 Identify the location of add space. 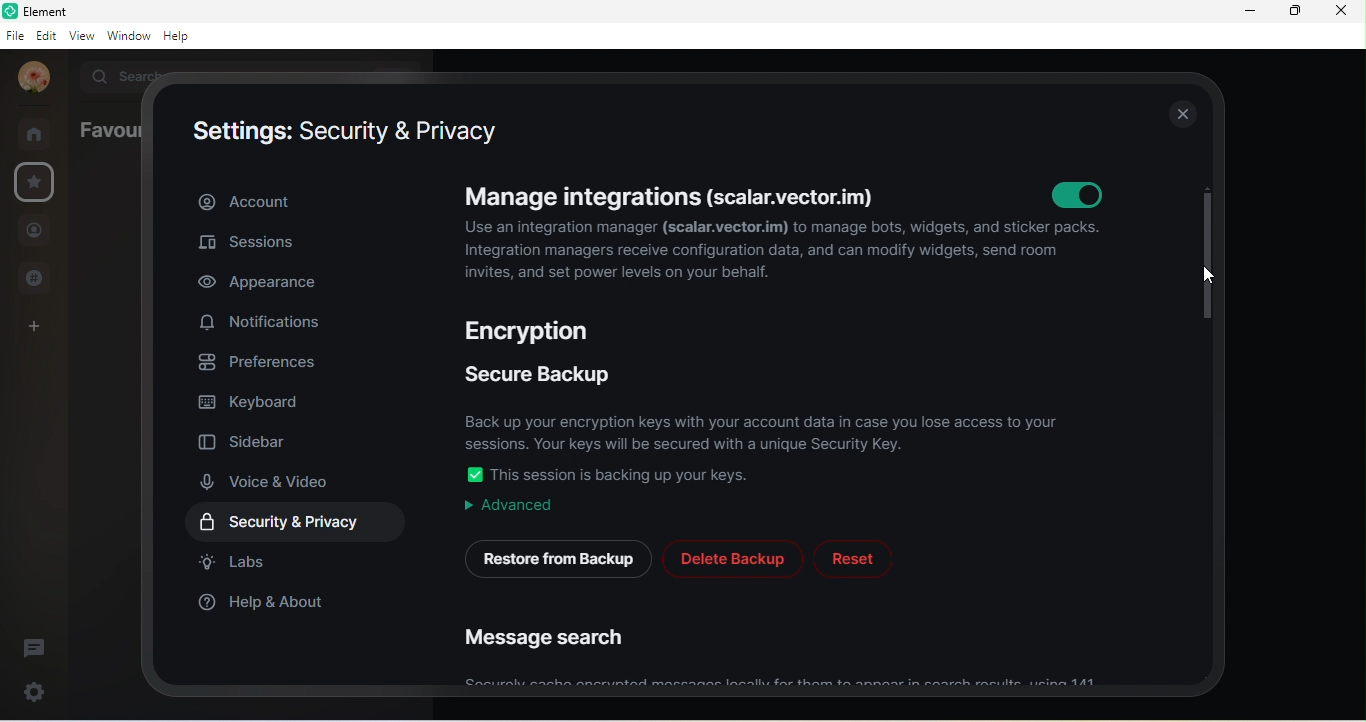
(30, 332).